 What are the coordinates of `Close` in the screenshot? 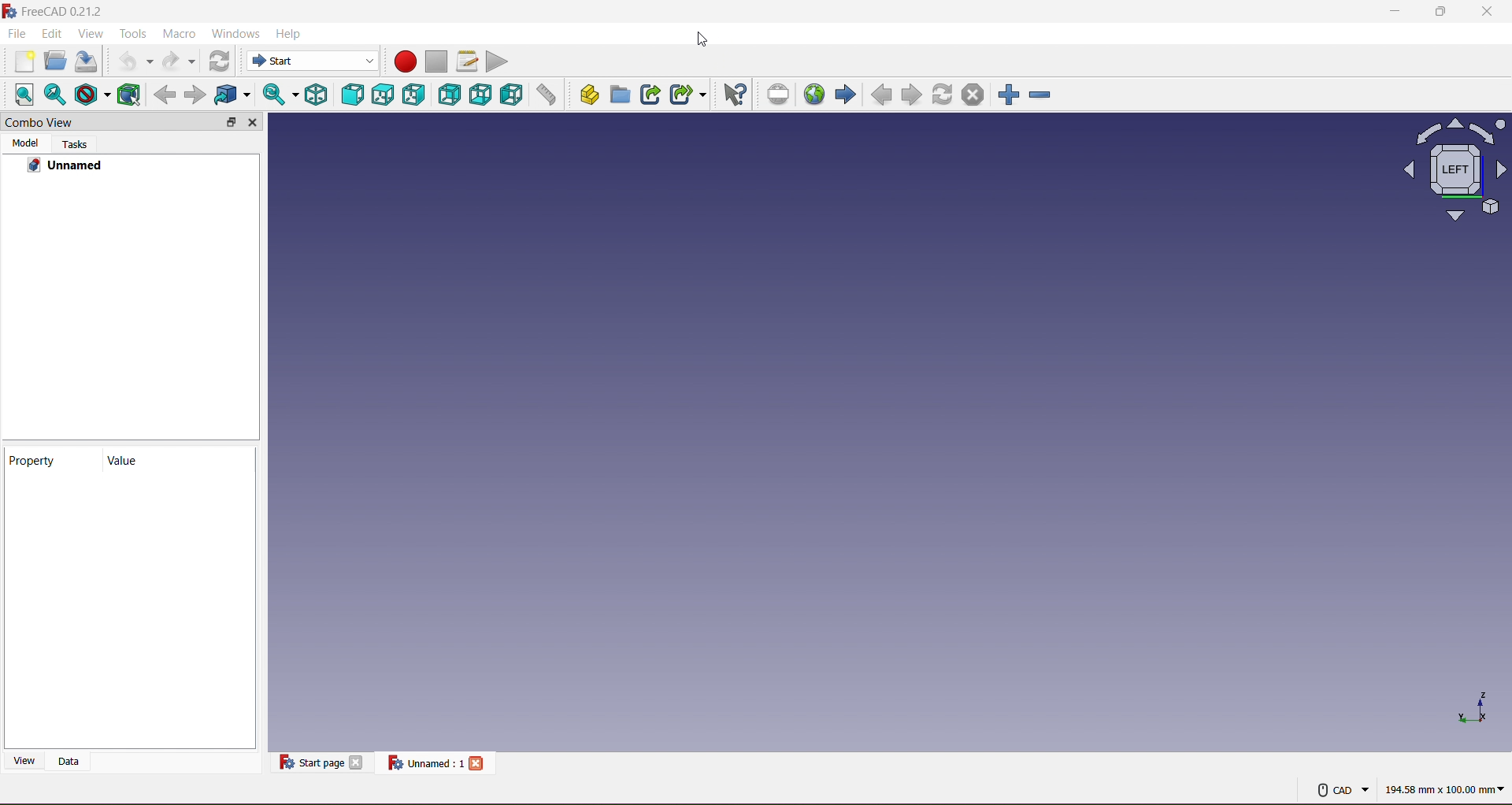 It's located at (356, 762).